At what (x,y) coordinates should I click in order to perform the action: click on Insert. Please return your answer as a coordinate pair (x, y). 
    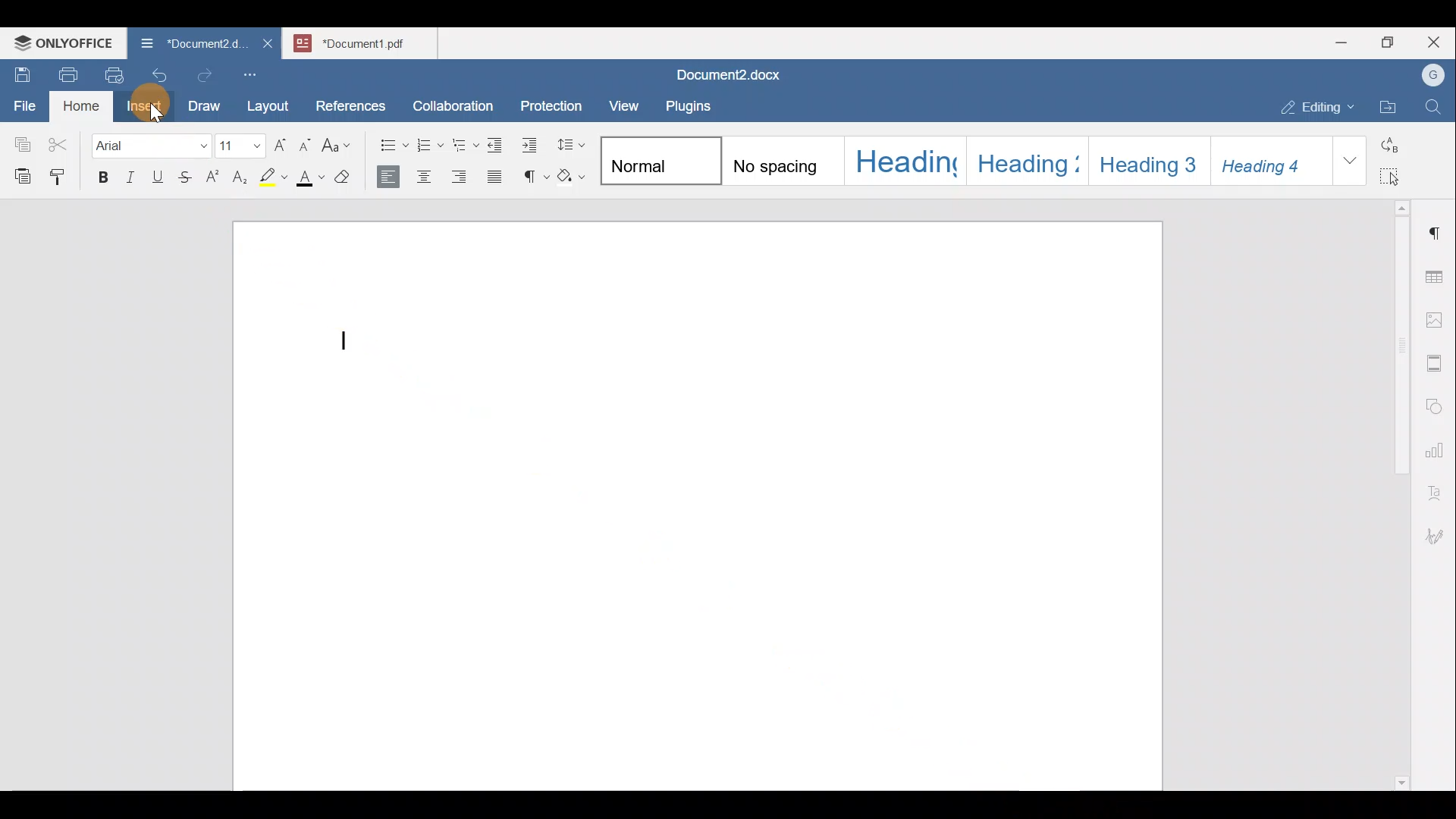
    Looking at the image, I should click on (143, 104).